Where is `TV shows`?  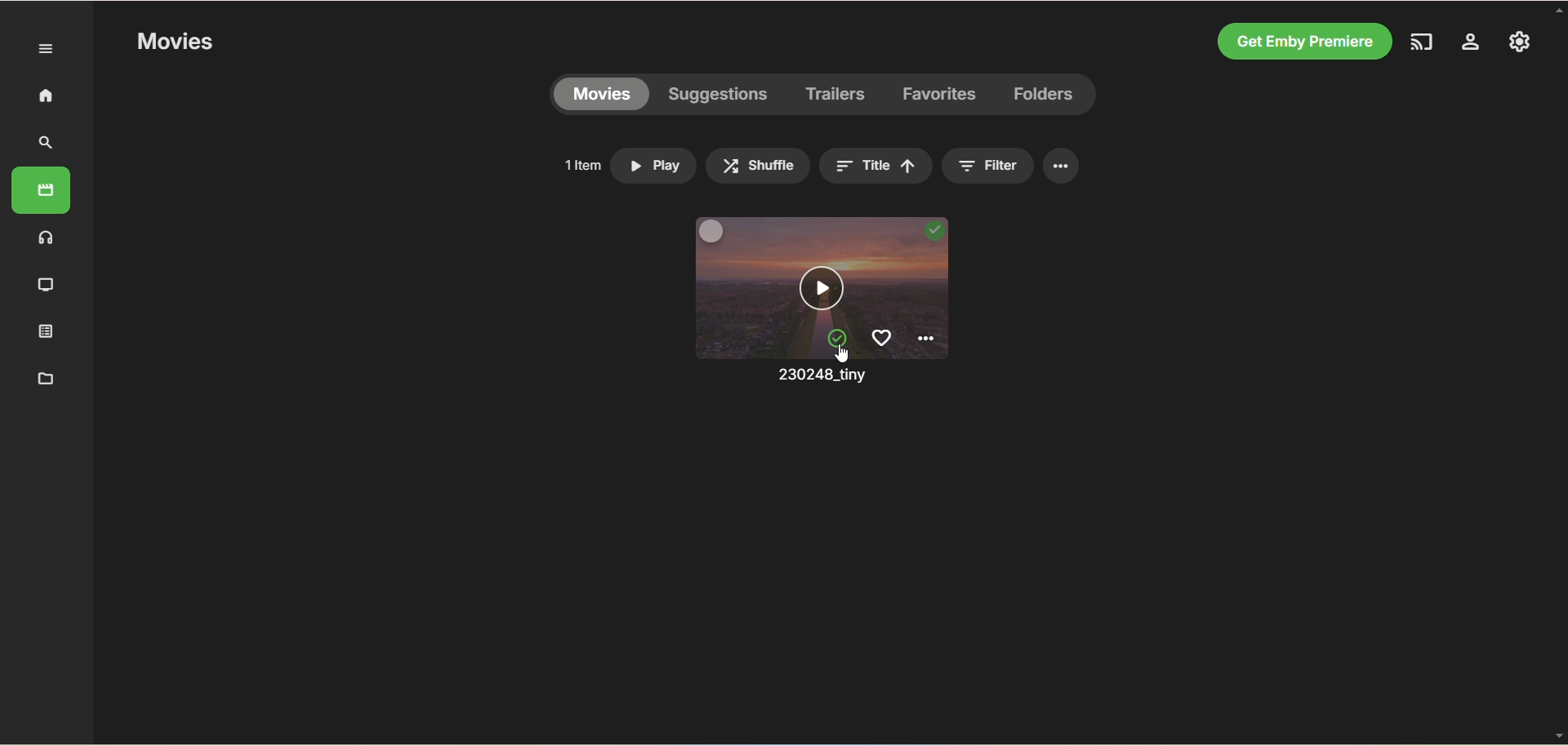
TV shows is located at coordinates (43, 283).